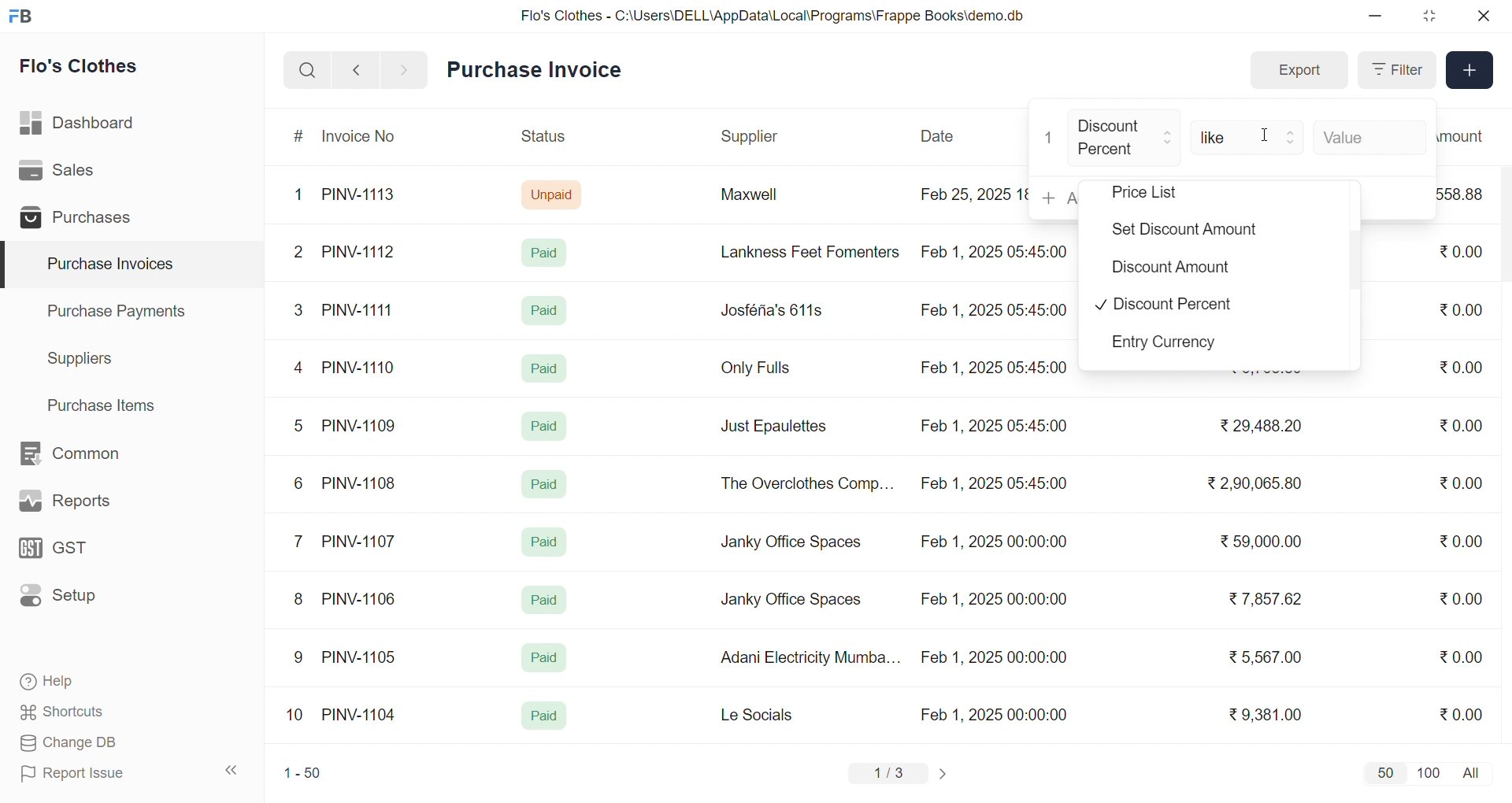 This screenshot has height=803, width=1512. I want to click on minimize, so click(1377, 17).